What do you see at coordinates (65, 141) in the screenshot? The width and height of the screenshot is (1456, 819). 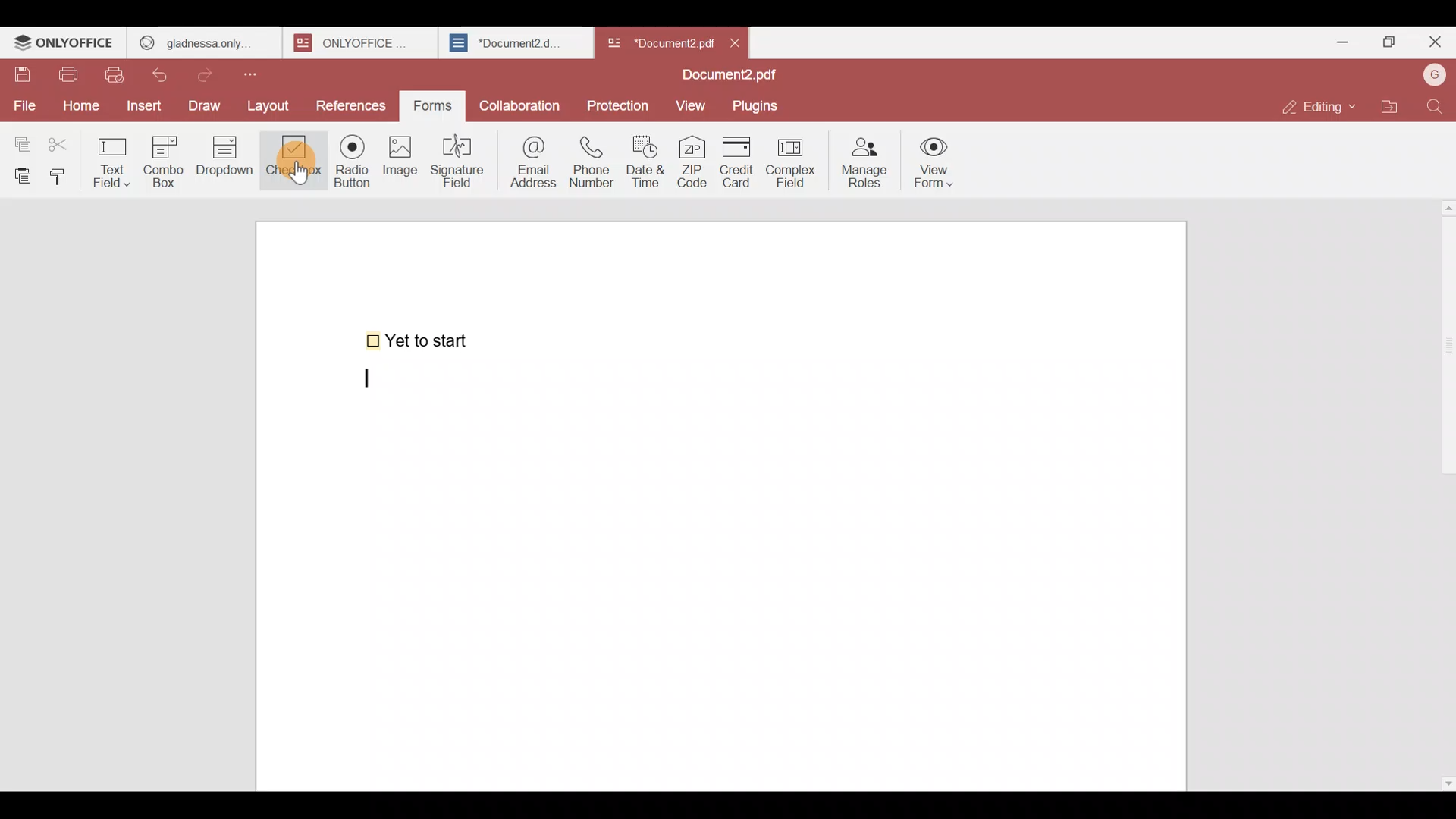 I see `Cut` at bounding box center [65, 141].